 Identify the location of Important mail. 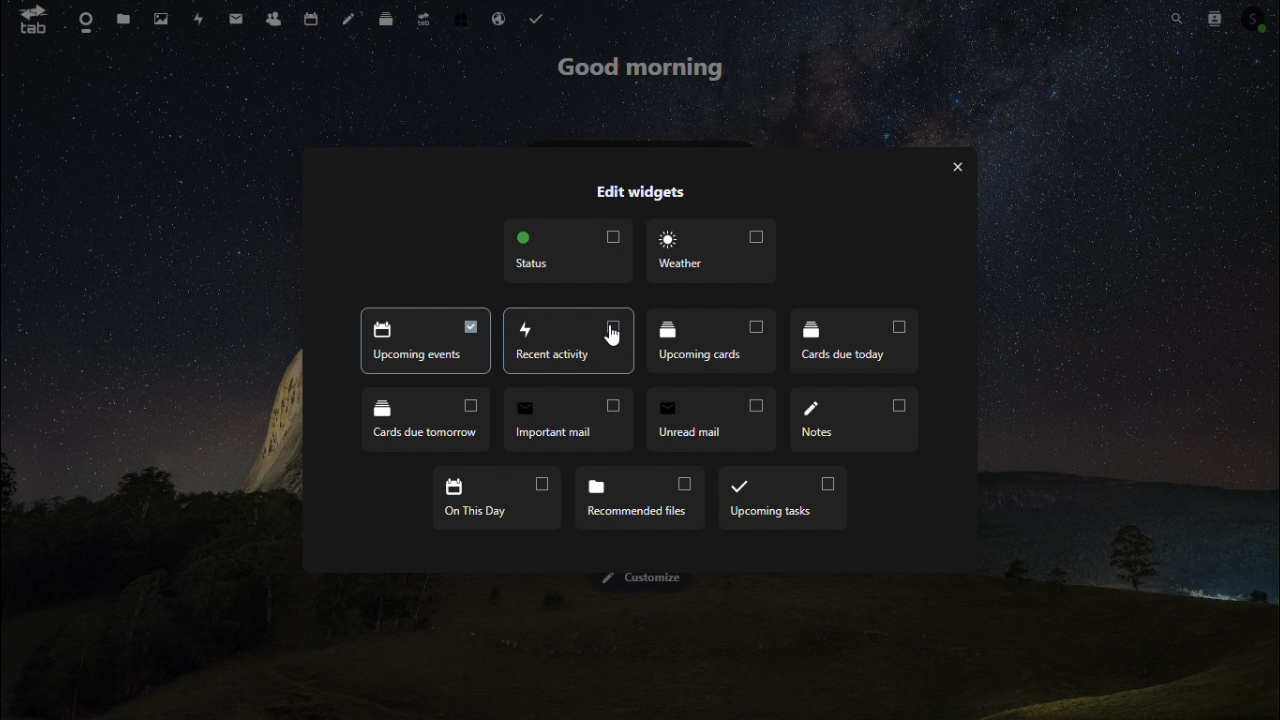
(568, 419).